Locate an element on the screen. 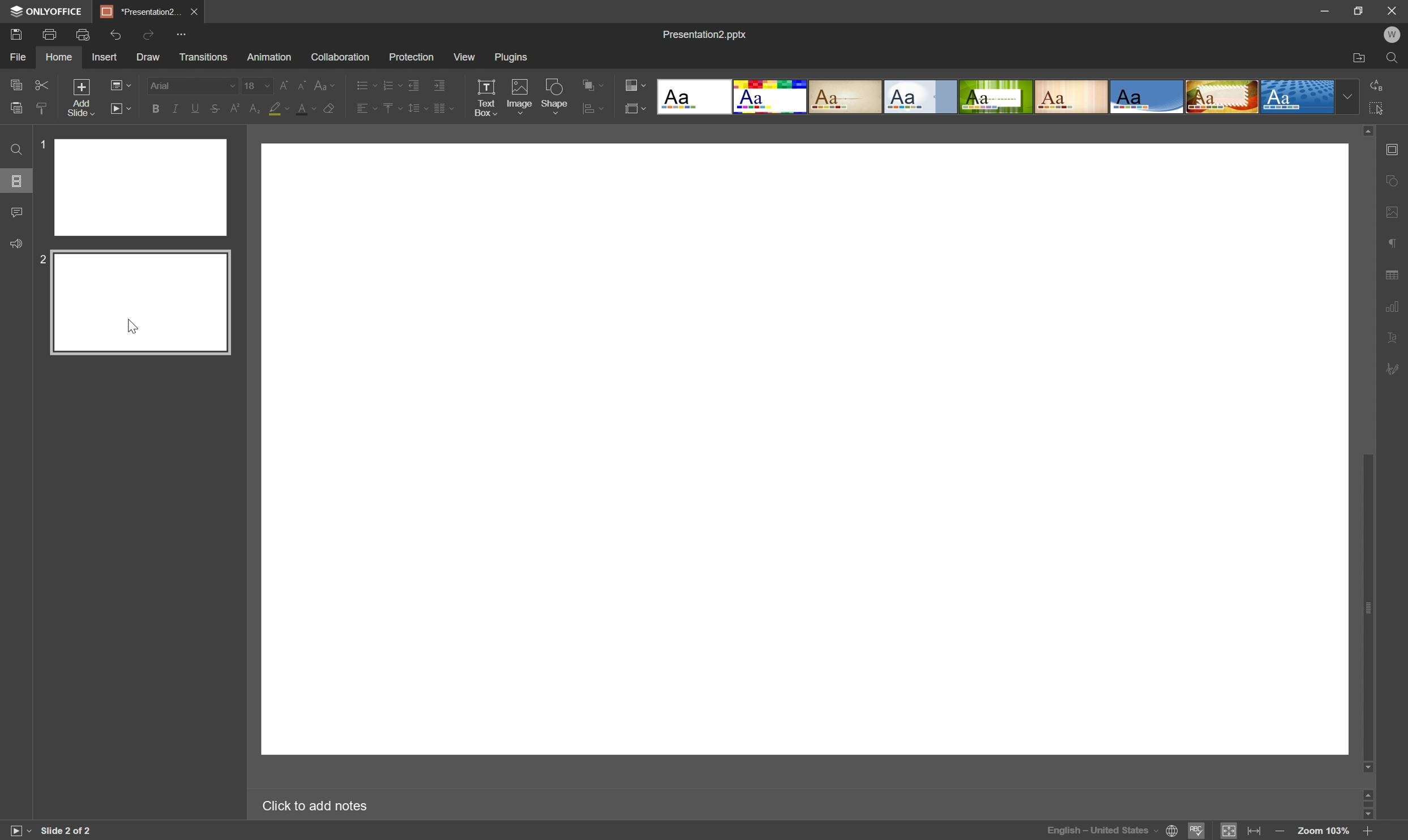  Find is located at coordinates (15, 150).